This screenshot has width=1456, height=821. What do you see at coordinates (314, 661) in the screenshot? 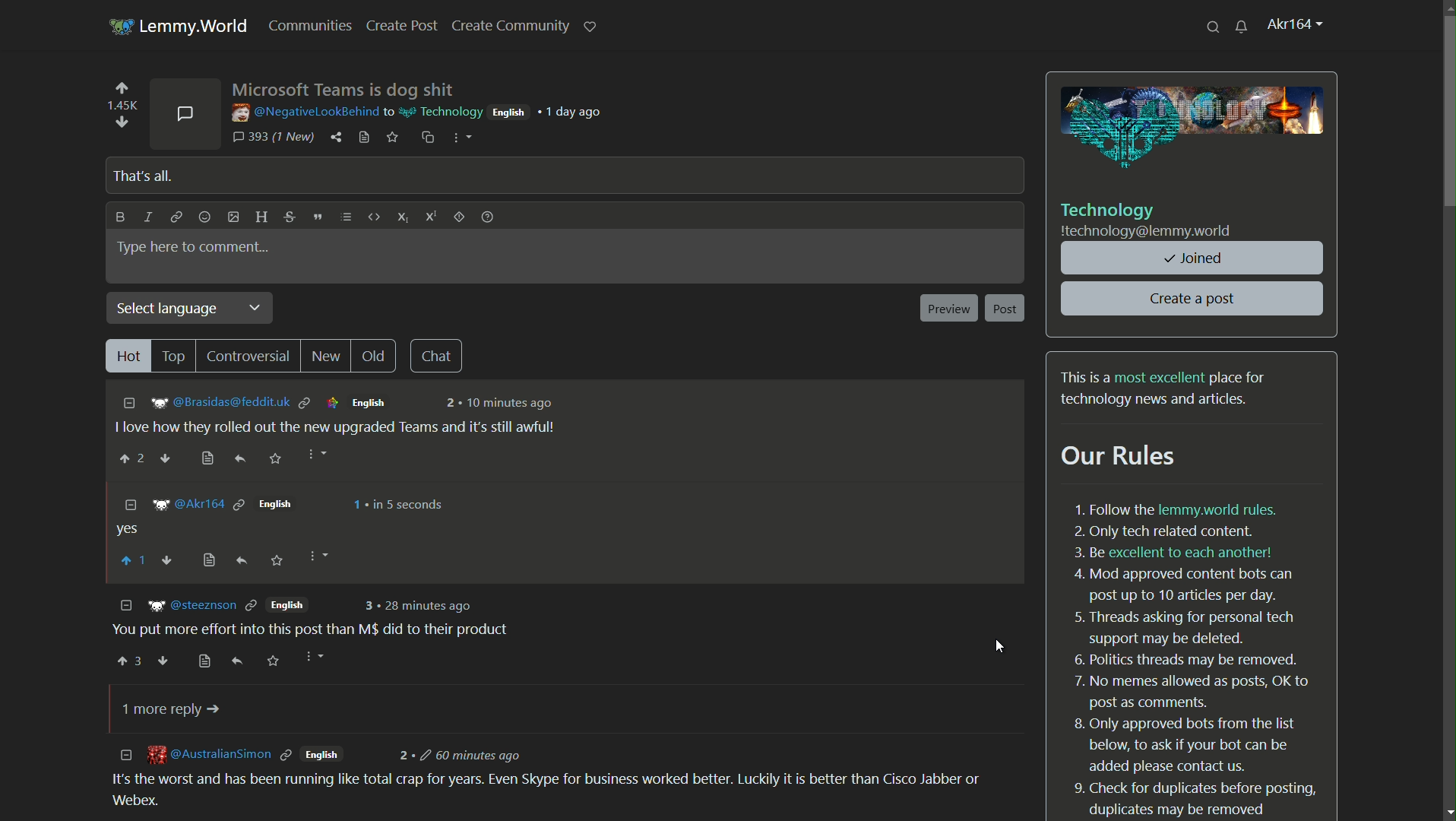
I see `more options` at bounding box center [314, 661].